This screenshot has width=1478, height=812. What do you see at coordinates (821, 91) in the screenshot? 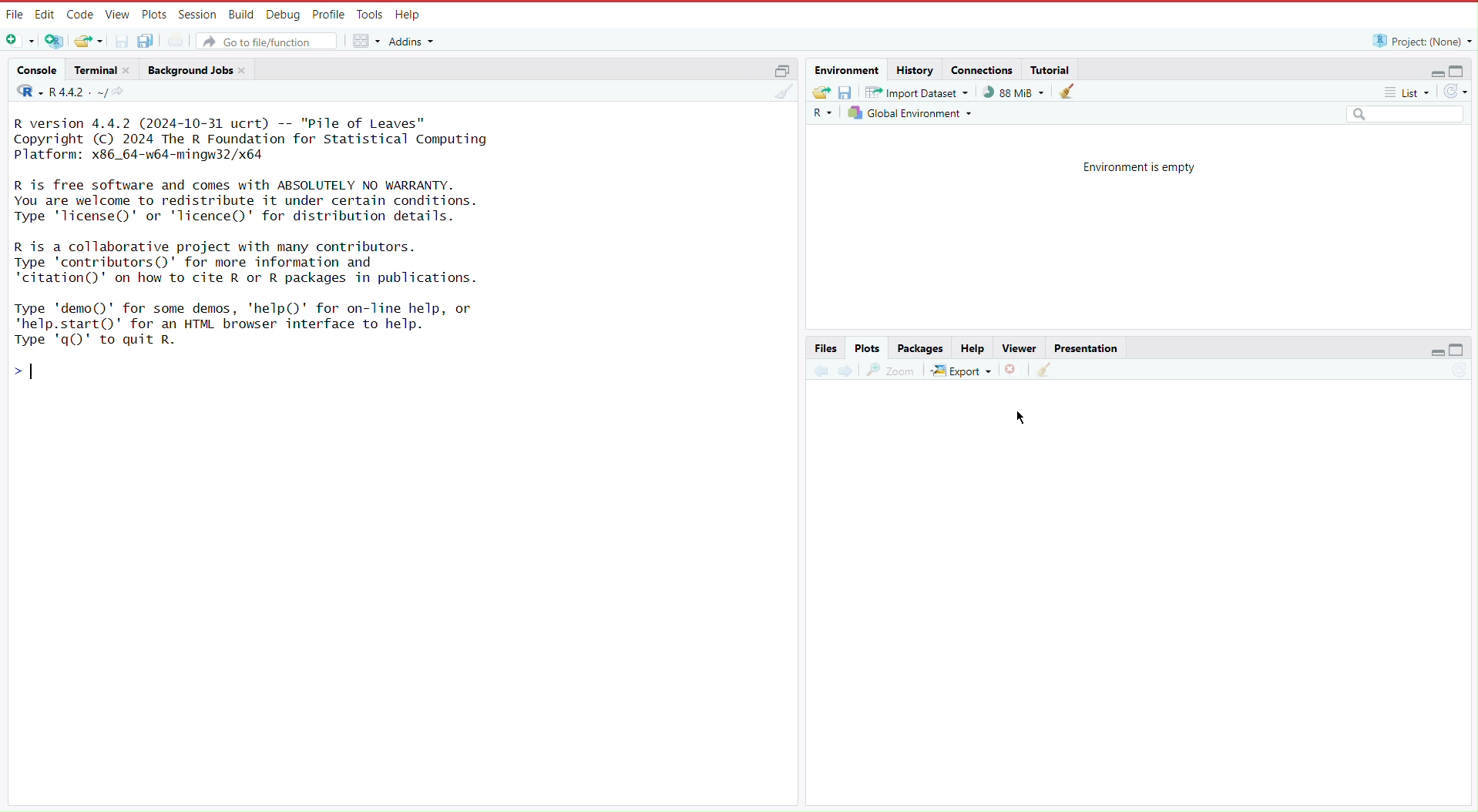
I see `Load workspace` at bounding box center [821, 91].